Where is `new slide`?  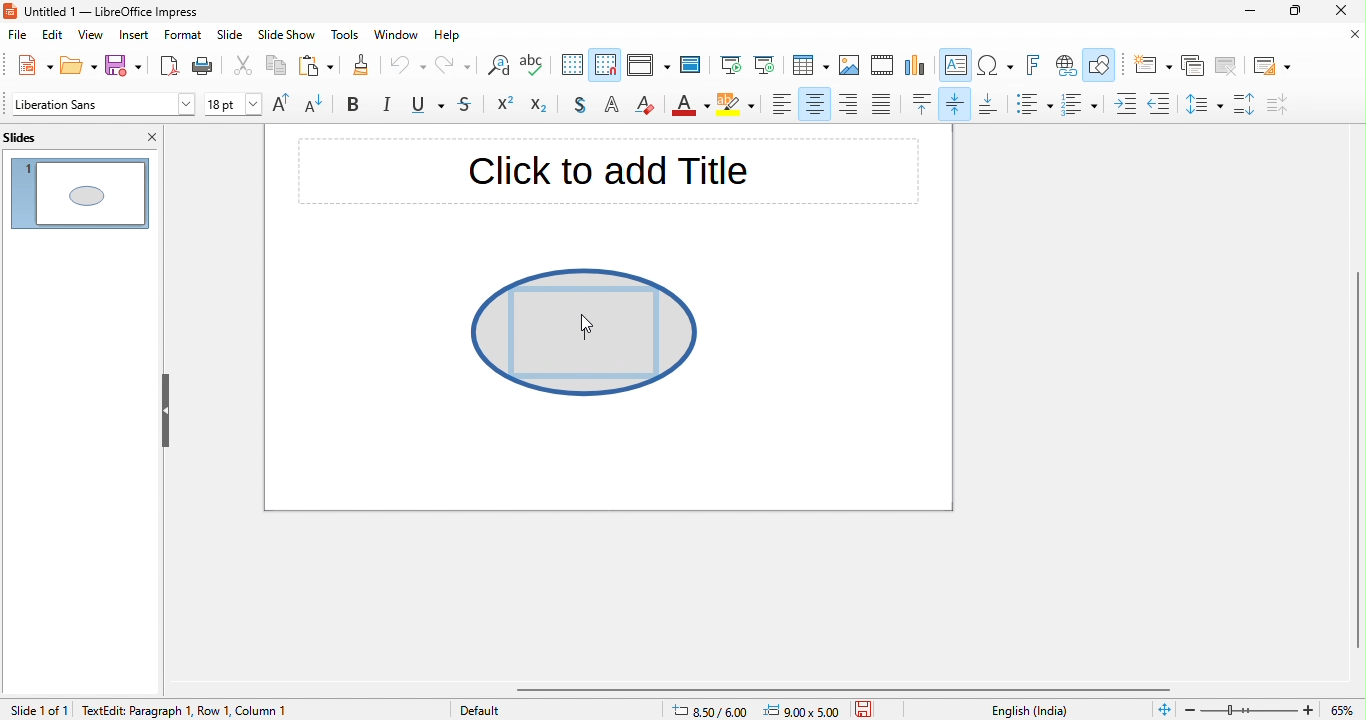 new slide is located at coordinates (1150, 65).